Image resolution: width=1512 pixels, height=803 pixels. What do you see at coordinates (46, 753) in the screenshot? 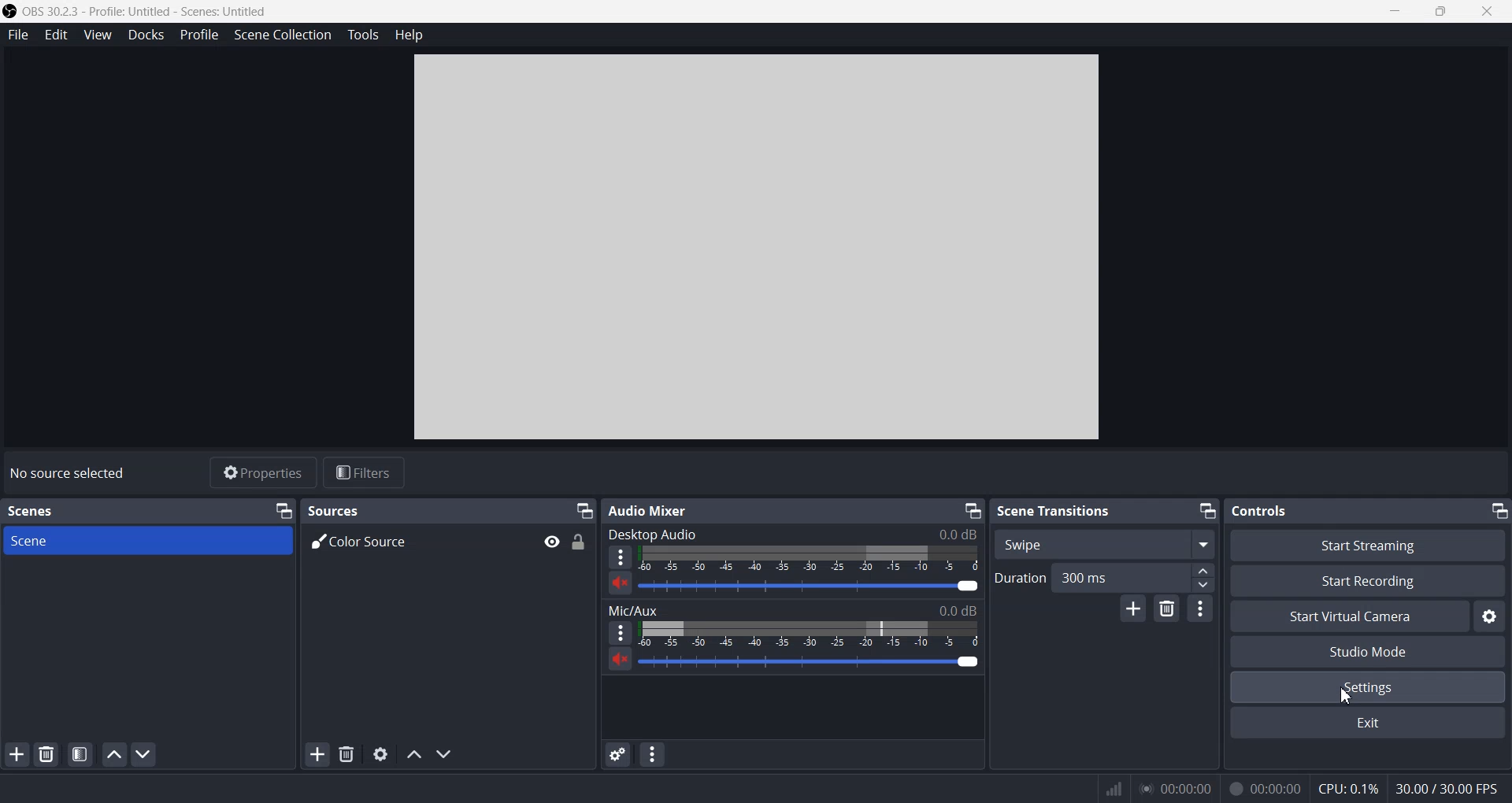
I see `Remove selected scene` at bounding box center [46, 753].